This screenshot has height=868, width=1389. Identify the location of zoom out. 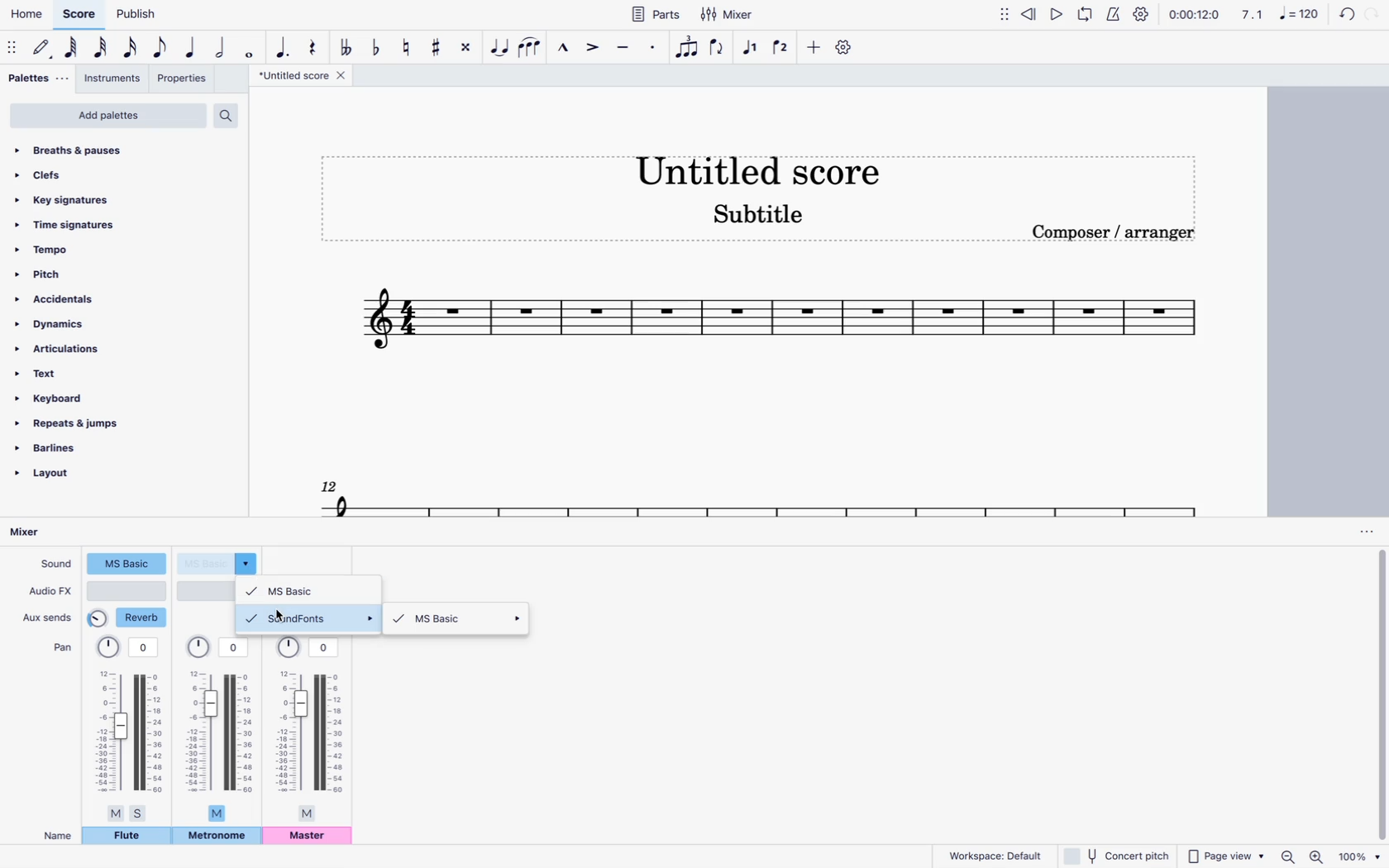
(1287, 856).